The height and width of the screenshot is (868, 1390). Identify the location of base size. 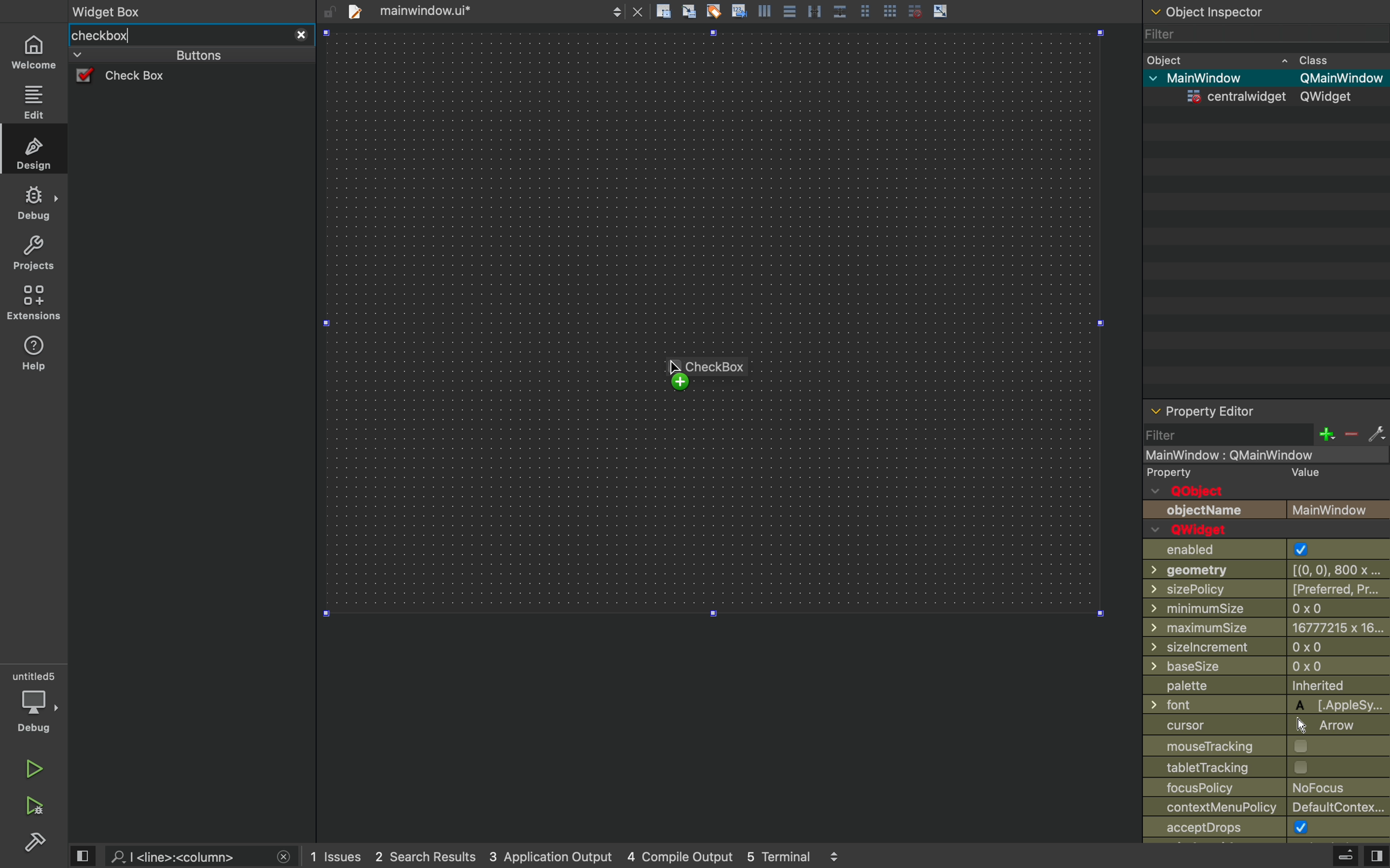
(1268, 668).